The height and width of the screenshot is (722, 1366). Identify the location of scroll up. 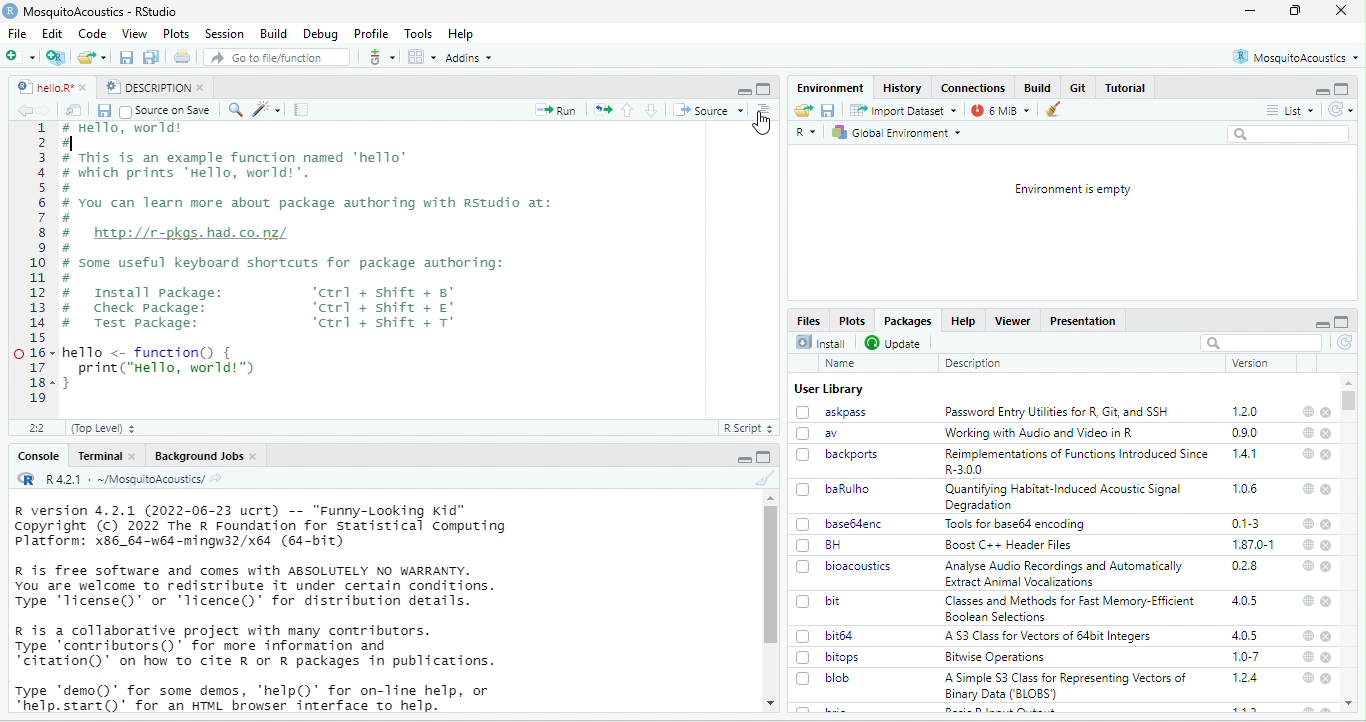
(769, 498).